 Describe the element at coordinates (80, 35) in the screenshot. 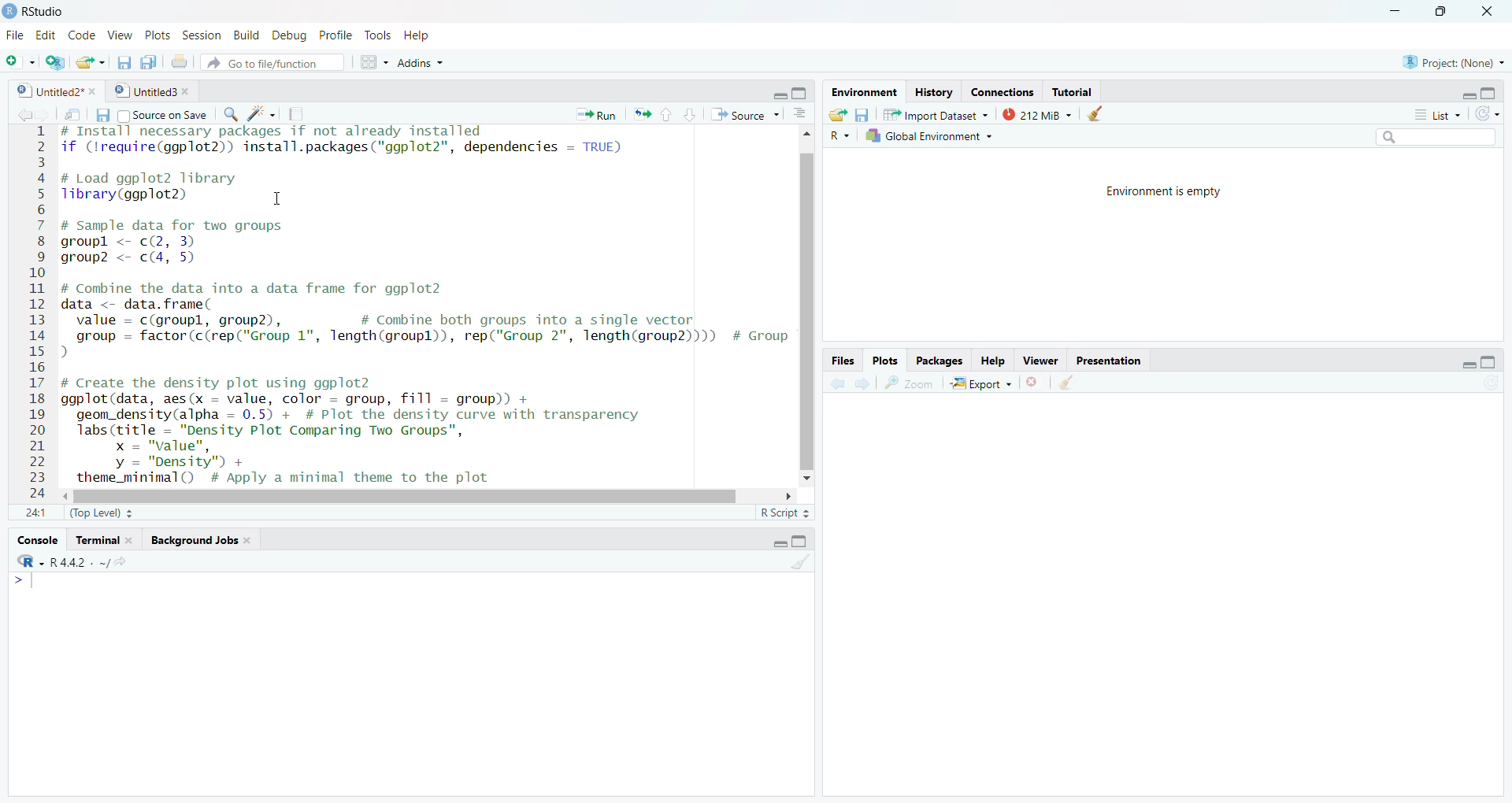

I see `code` at that location.